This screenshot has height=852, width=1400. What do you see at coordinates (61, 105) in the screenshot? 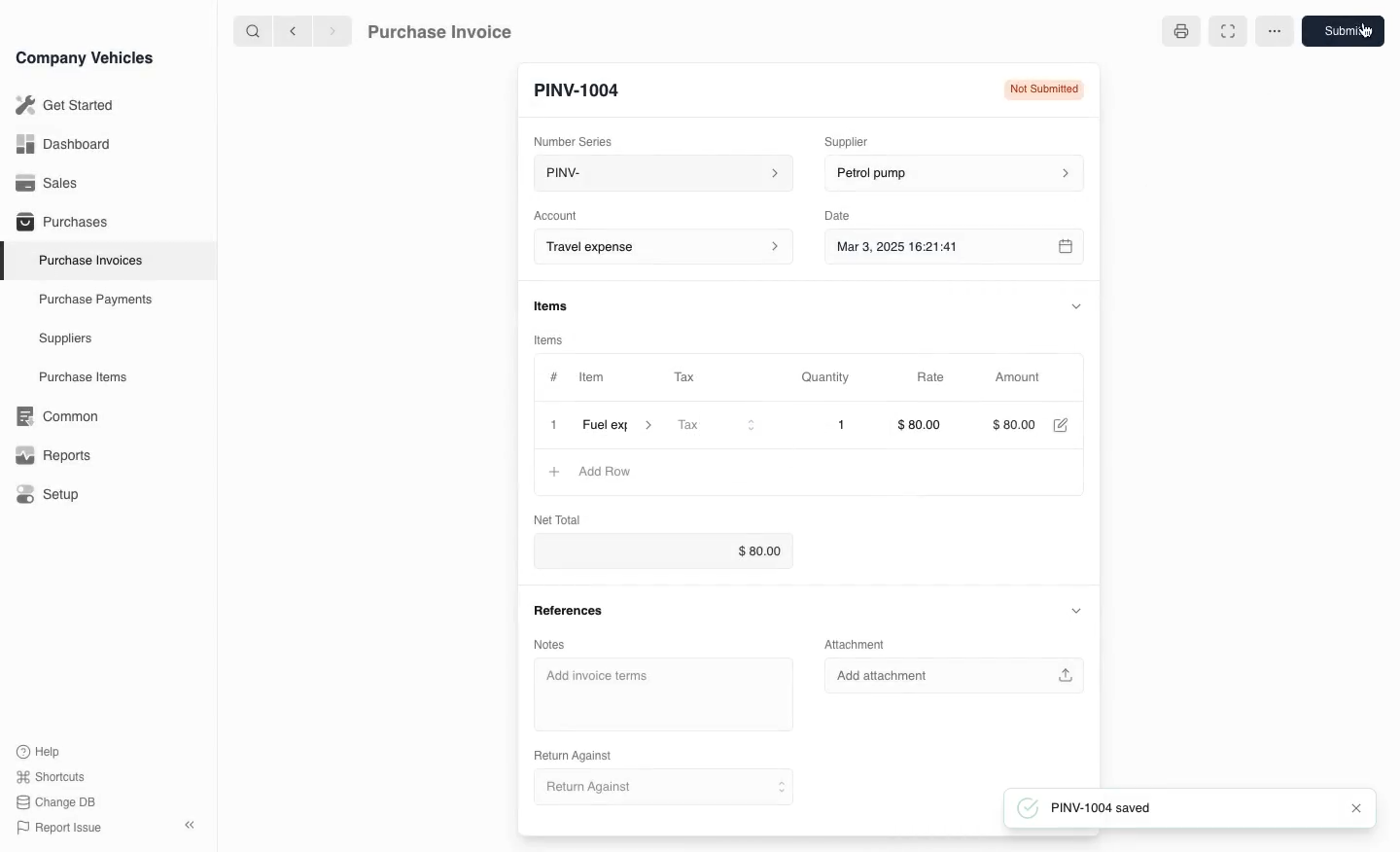
I see `Get Started` at bounding box center [61, 105].